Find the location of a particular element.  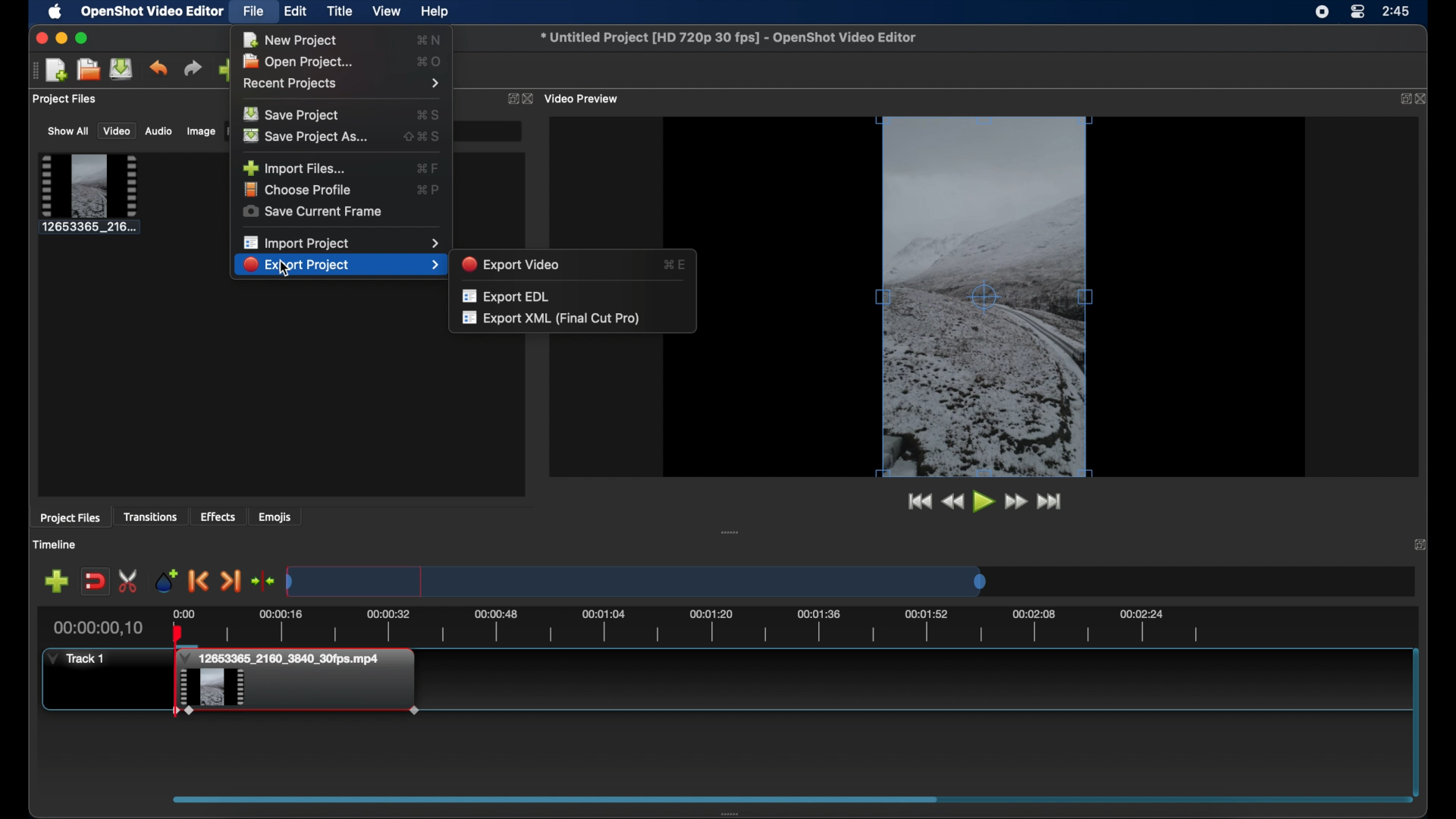

close is located at coordinates (528, 99).